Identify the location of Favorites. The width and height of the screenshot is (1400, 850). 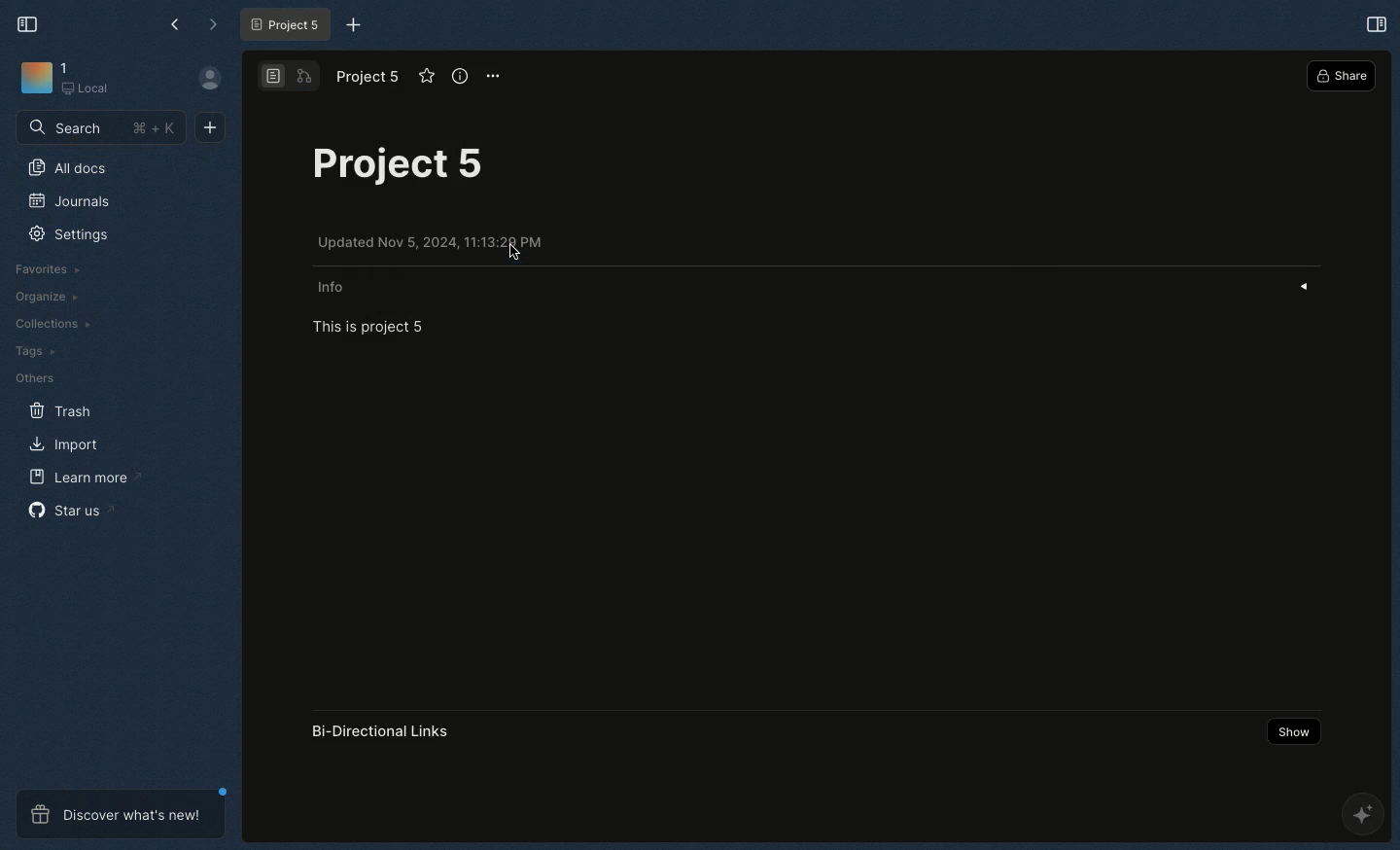
(43, 269).